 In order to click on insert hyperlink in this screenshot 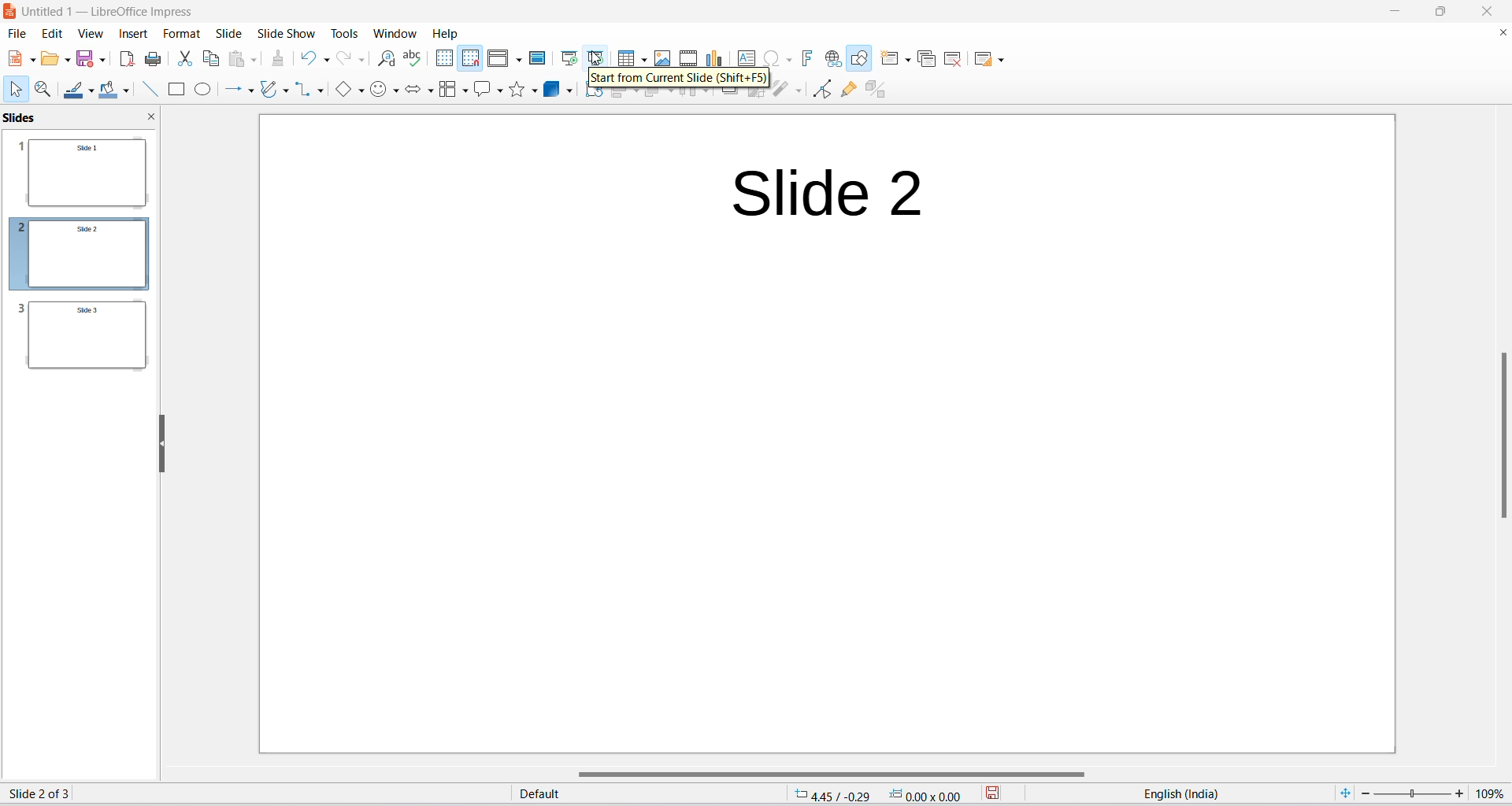, I will do `click(835, 59)`.